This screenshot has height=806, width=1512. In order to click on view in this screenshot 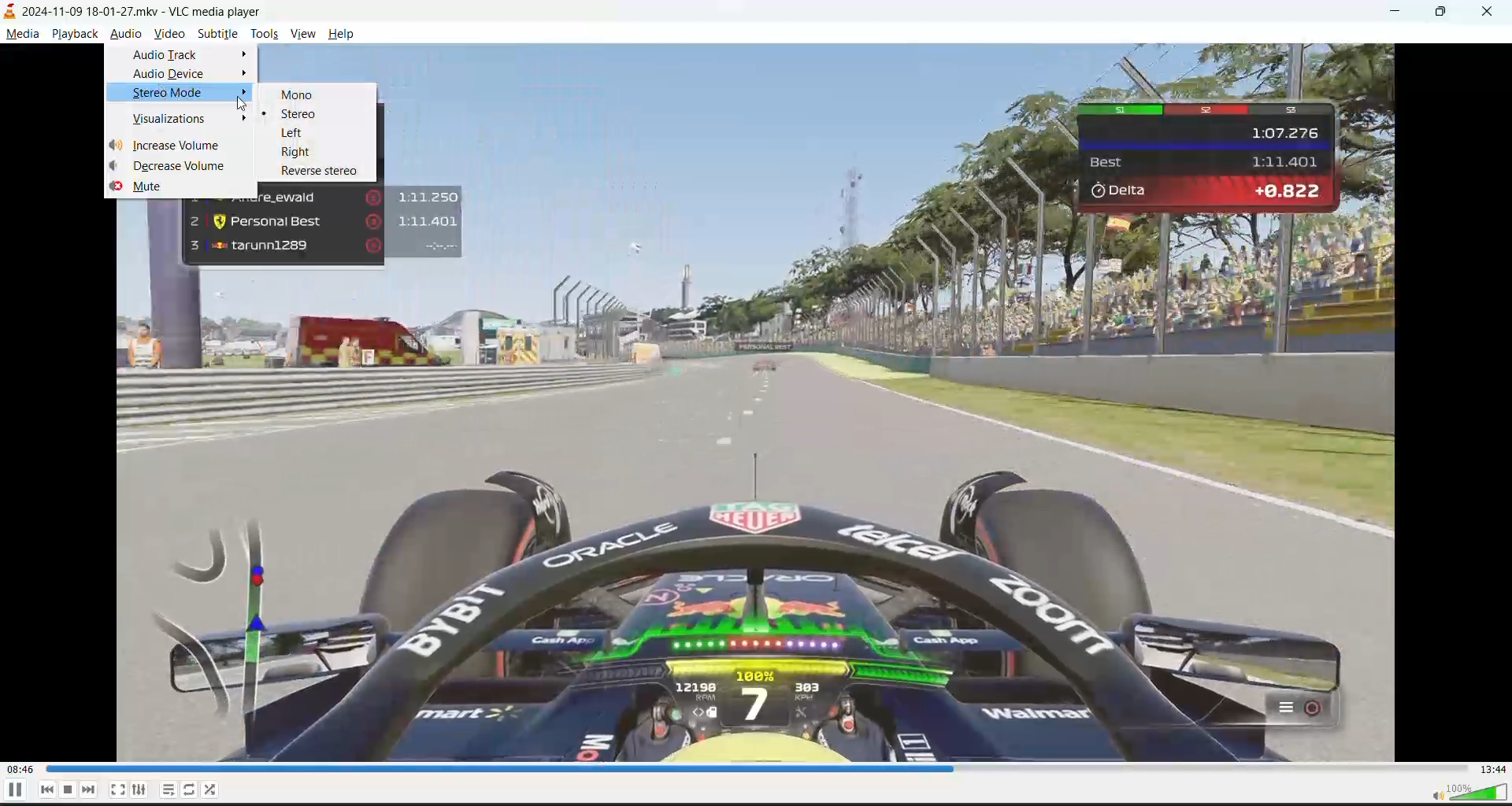, I will do `click(302, 33)`.